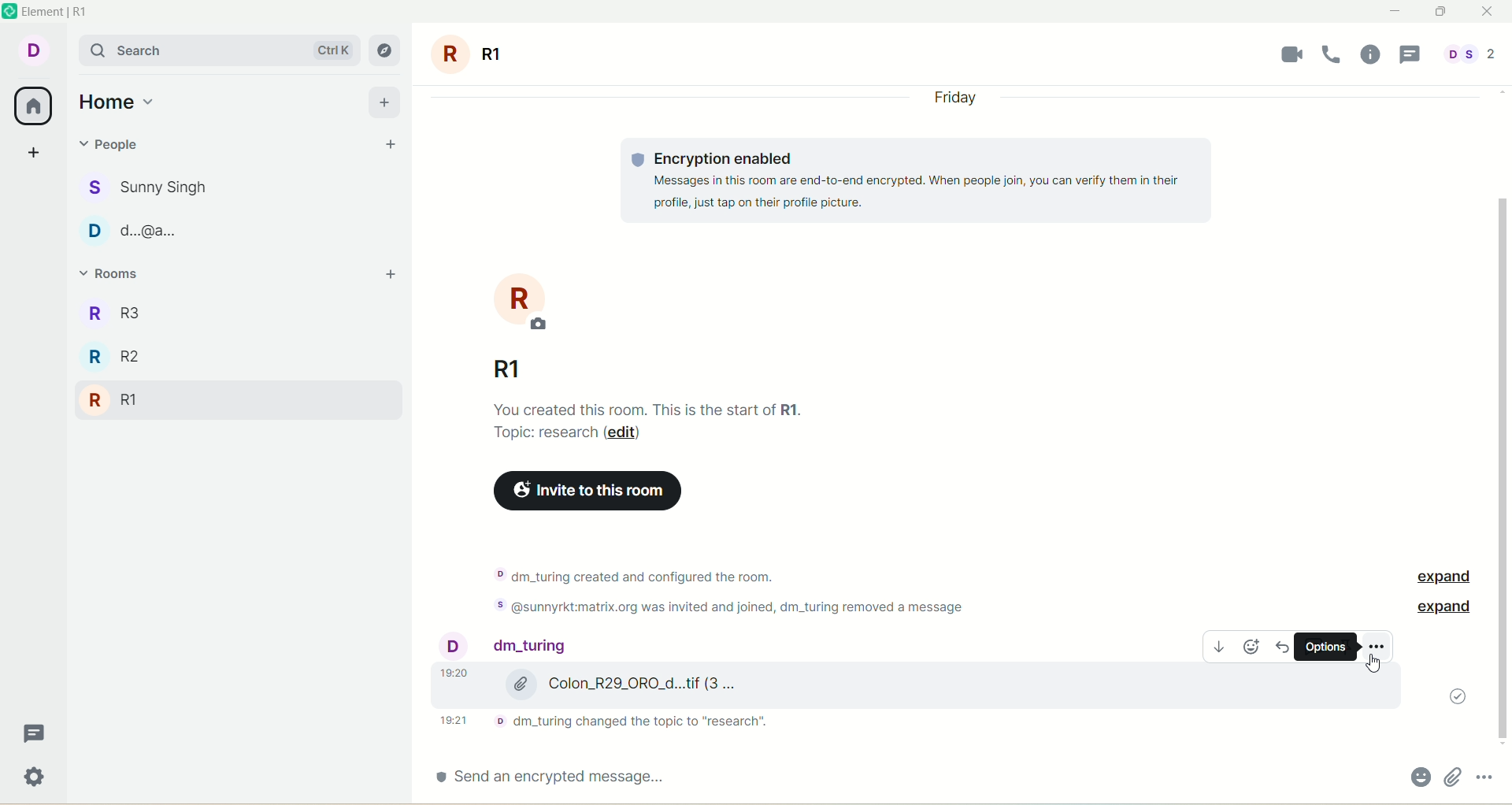 Image resolution: width=1512 pixels, height=805 pixels. What do you see at coordinates (386, 52) in the screenshot?
I see `explore rooms` at bounding box center [386, 52].